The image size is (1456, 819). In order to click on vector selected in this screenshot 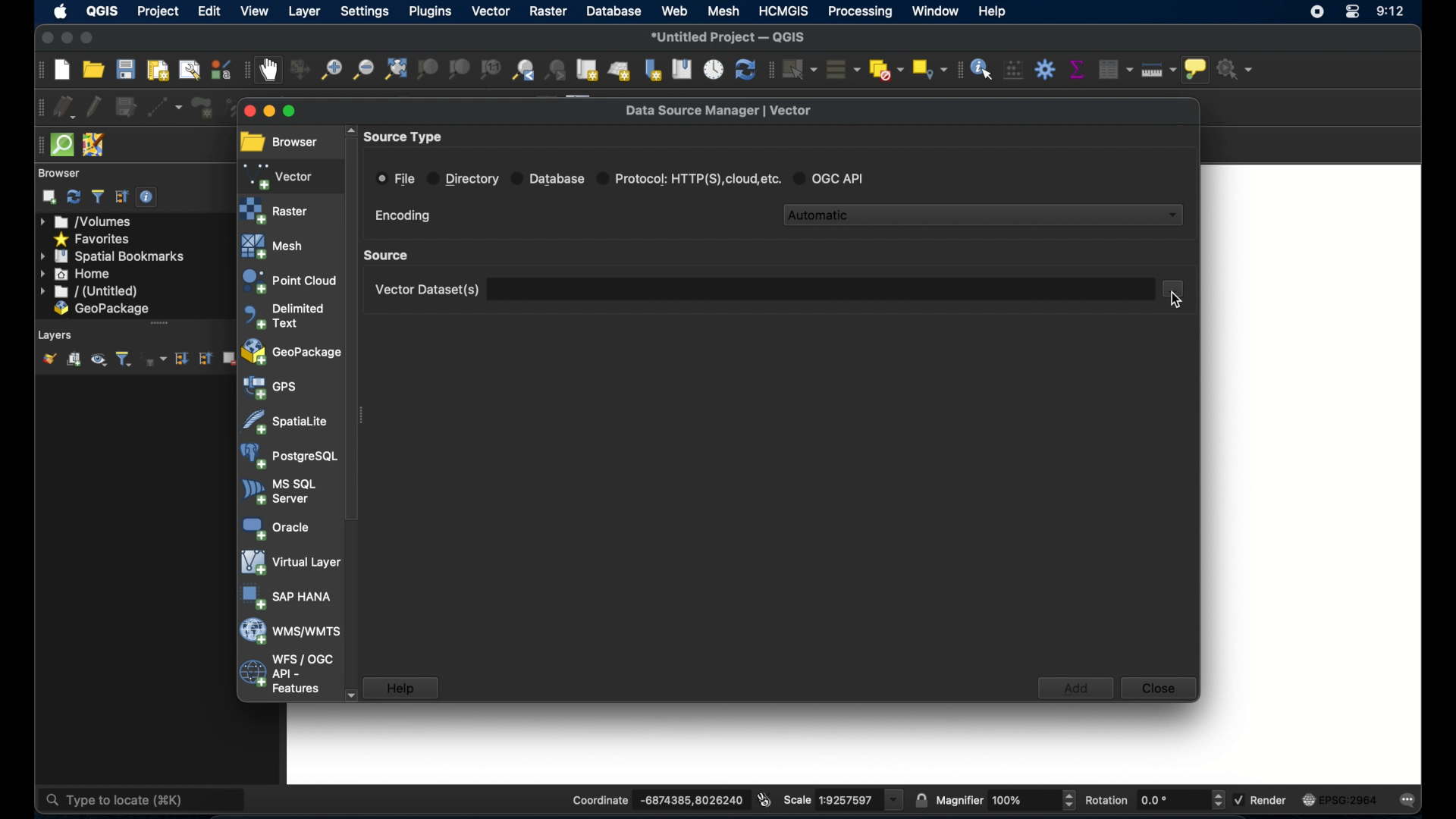, I will do `click(280, 175)`.